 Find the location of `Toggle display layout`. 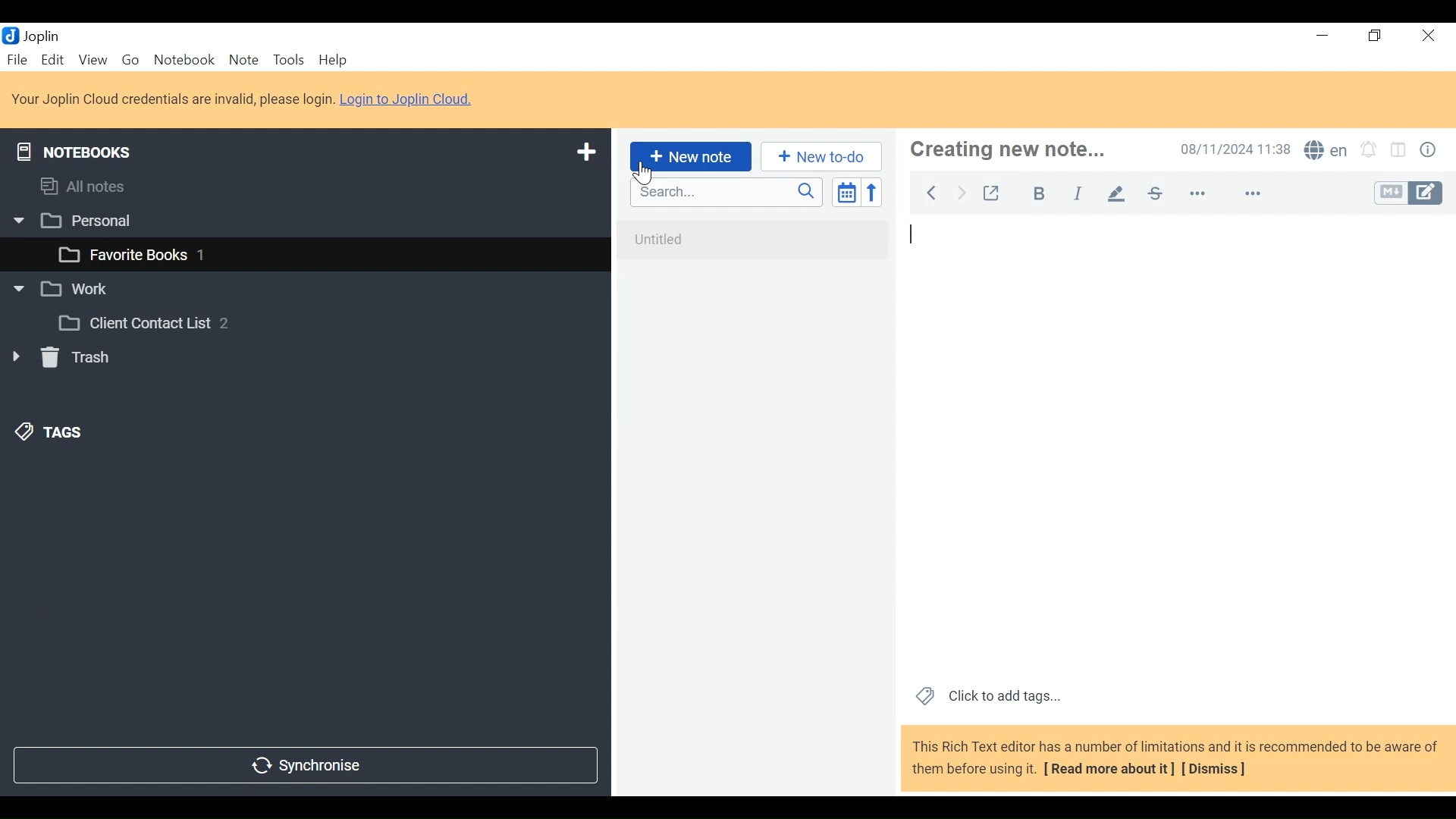

Toggle display layout is located at coordinates (1398, 151).